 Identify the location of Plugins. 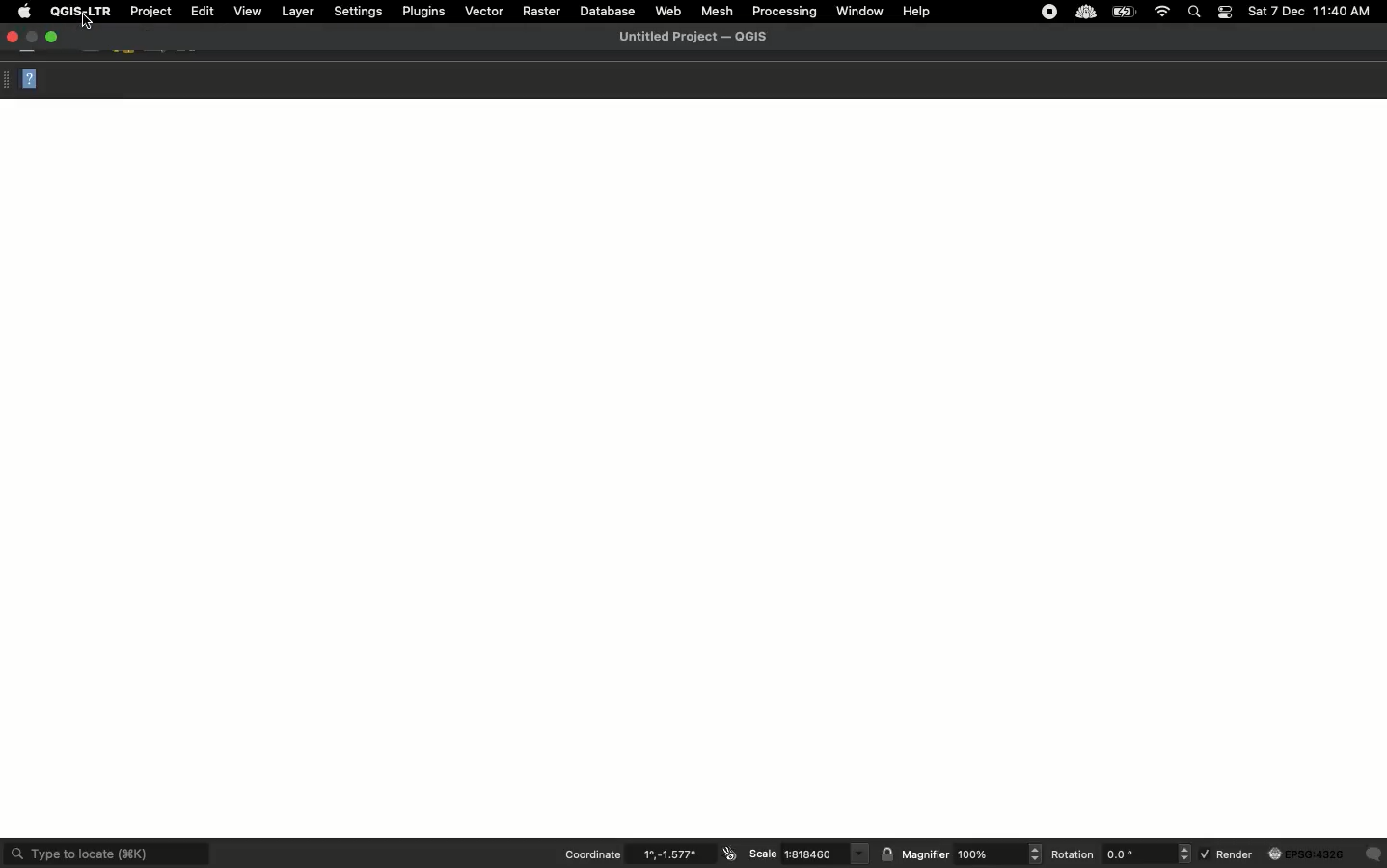
(424, 12).